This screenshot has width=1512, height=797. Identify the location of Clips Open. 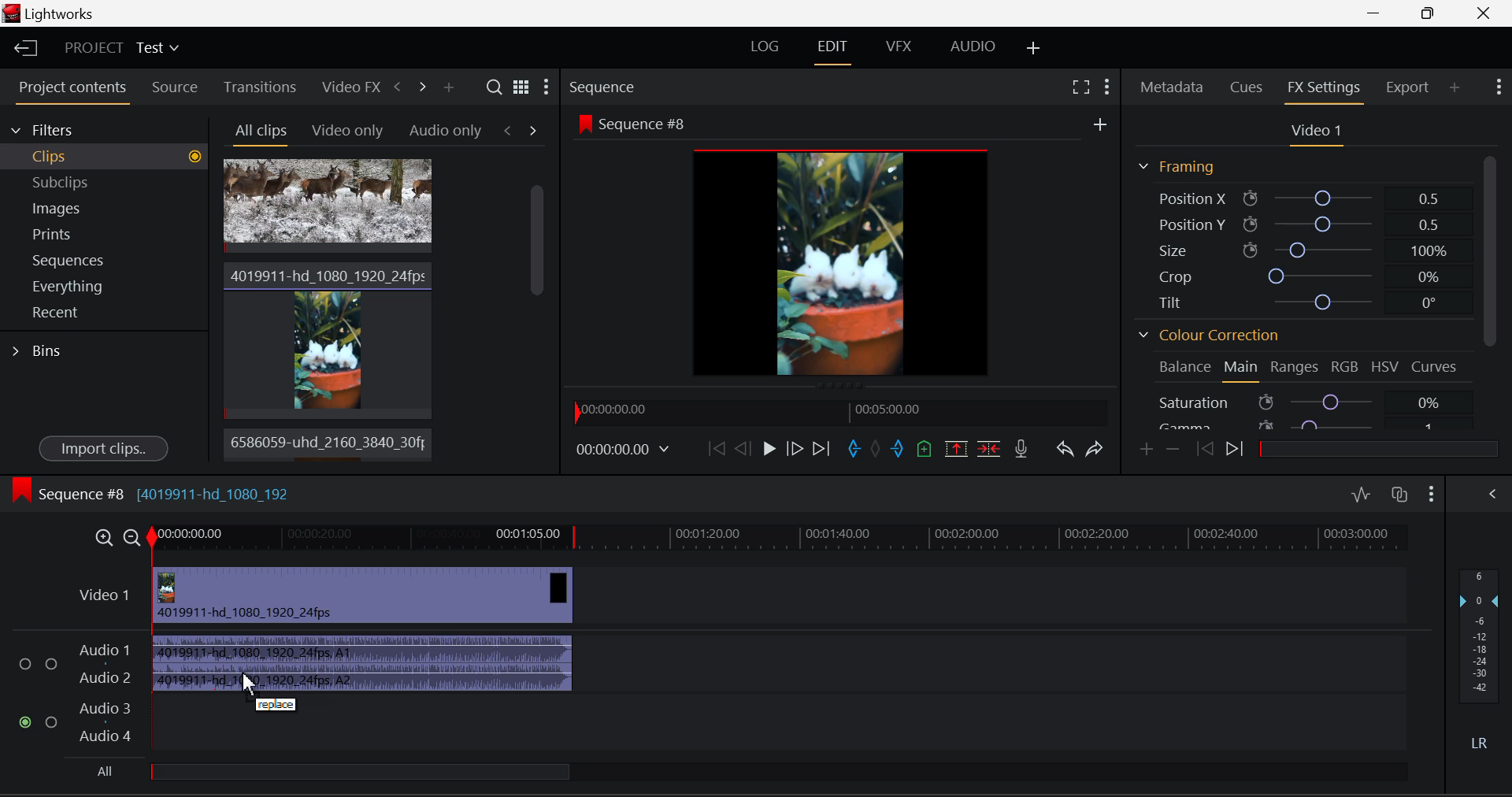
(104, 157).